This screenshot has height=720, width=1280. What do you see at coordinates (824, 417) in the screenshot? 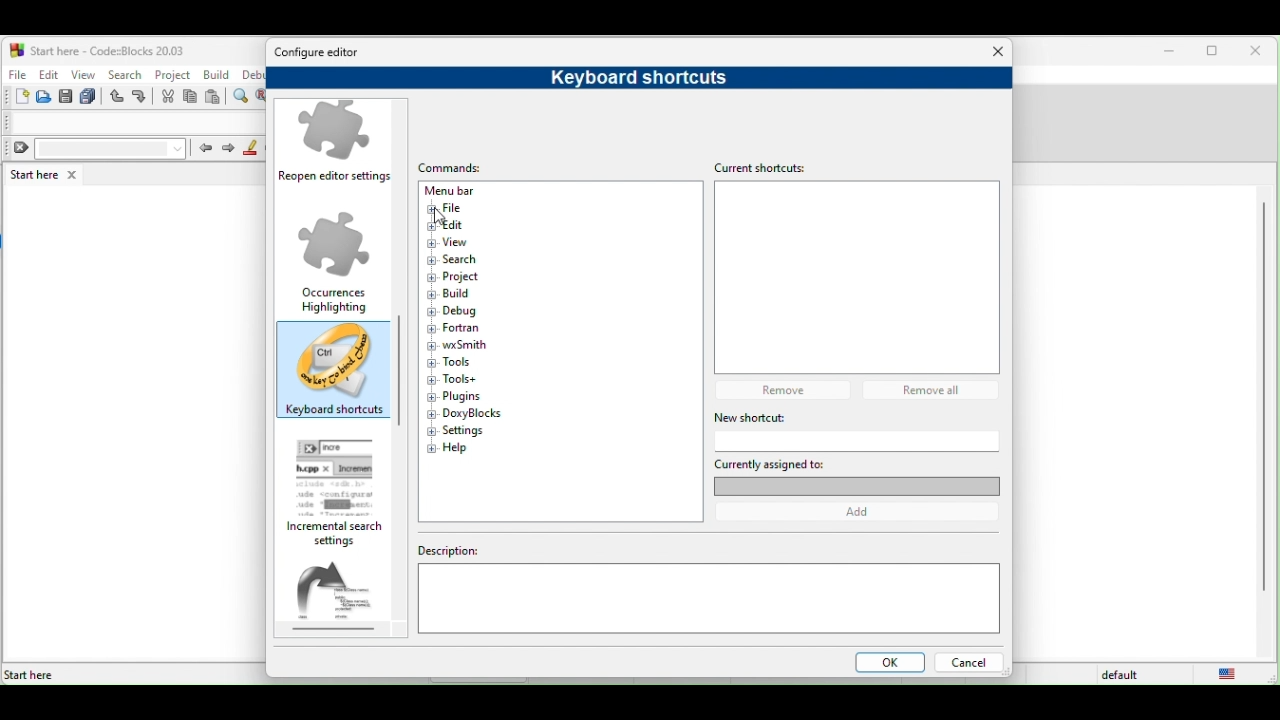
I see `new shortcut` at bounding box center [824, 417].